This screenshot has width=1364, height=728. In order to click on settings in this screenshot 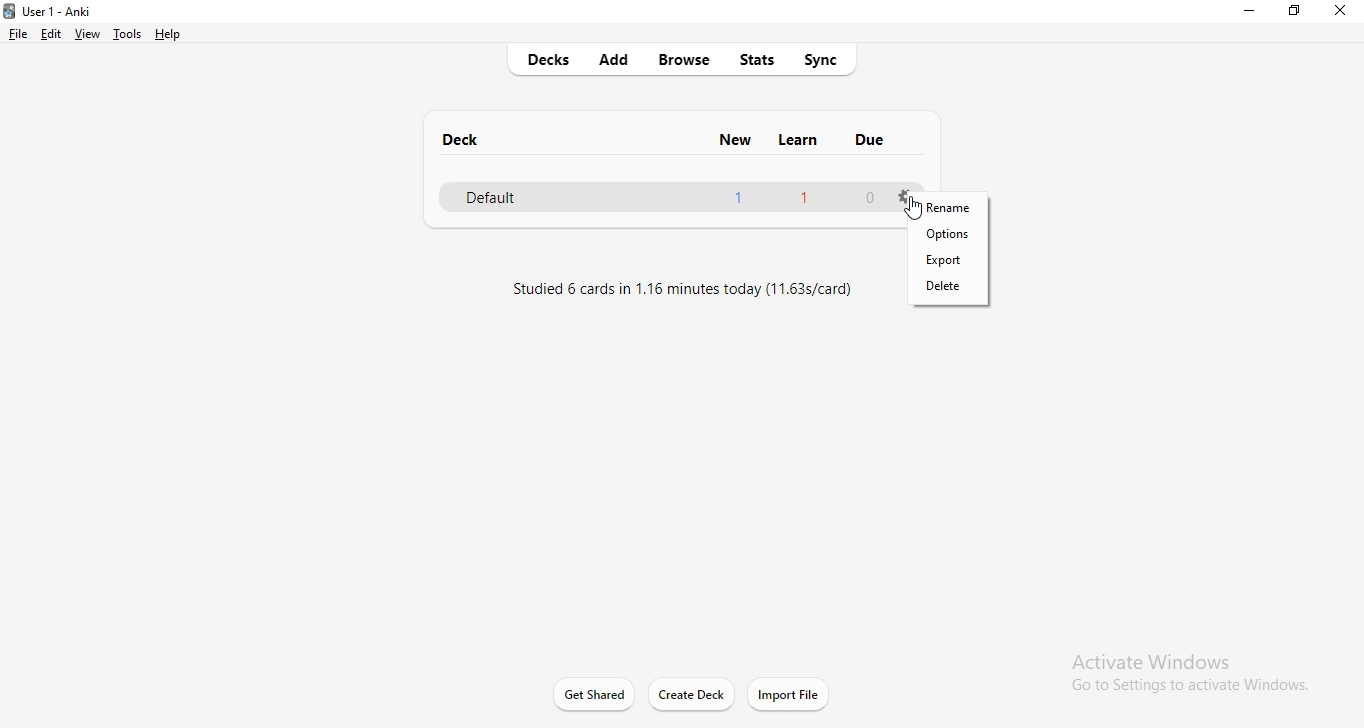, I will do `click(899, 195)`.